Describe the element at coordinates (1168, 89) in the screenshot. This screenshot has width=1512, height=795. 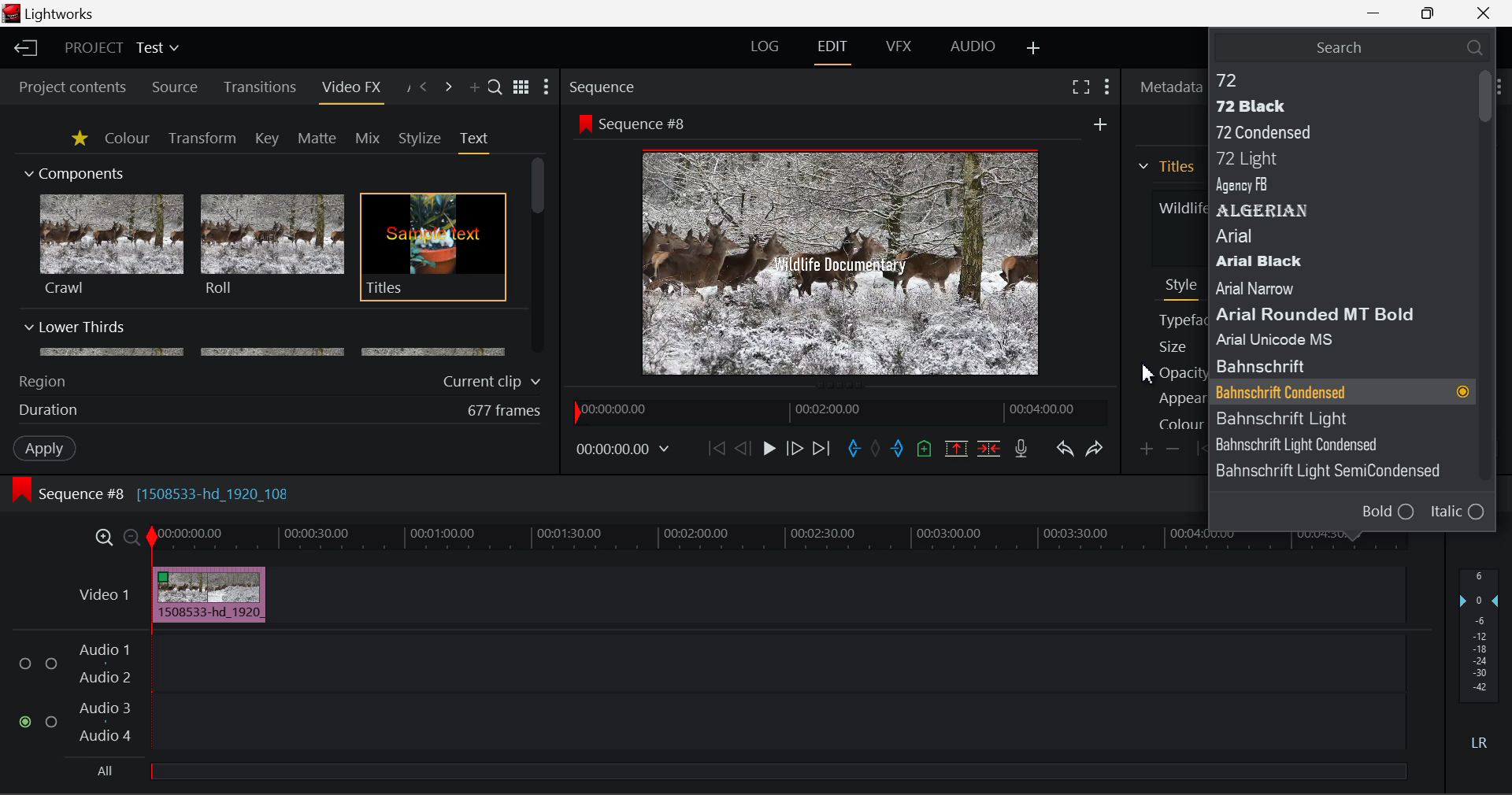
I see `Metadata` at that location.